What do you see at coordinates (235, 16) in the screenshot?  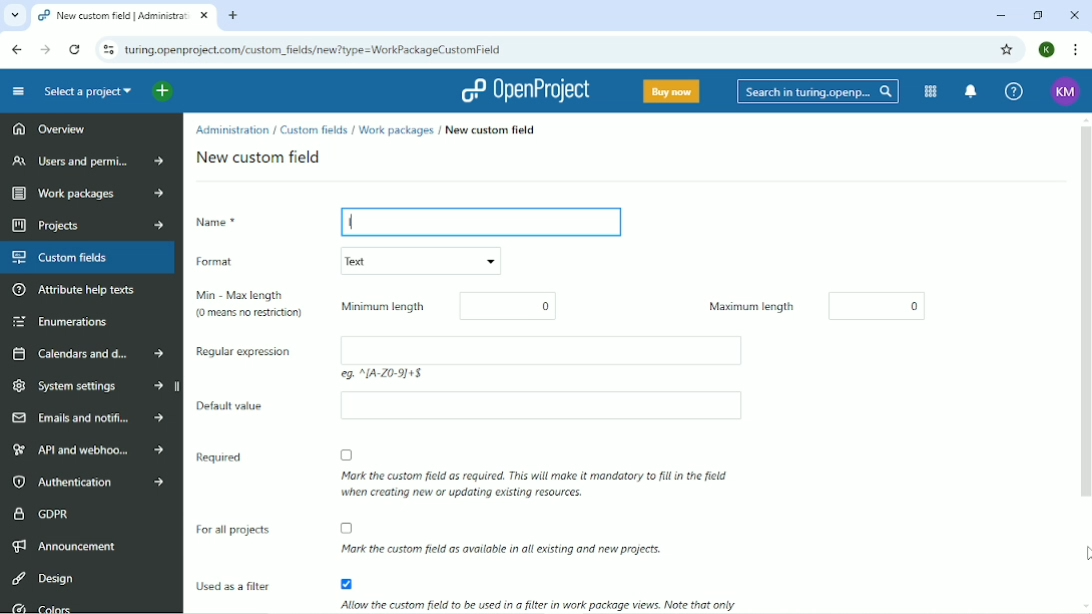 I see `New tab` at bounding box center [235, 16].